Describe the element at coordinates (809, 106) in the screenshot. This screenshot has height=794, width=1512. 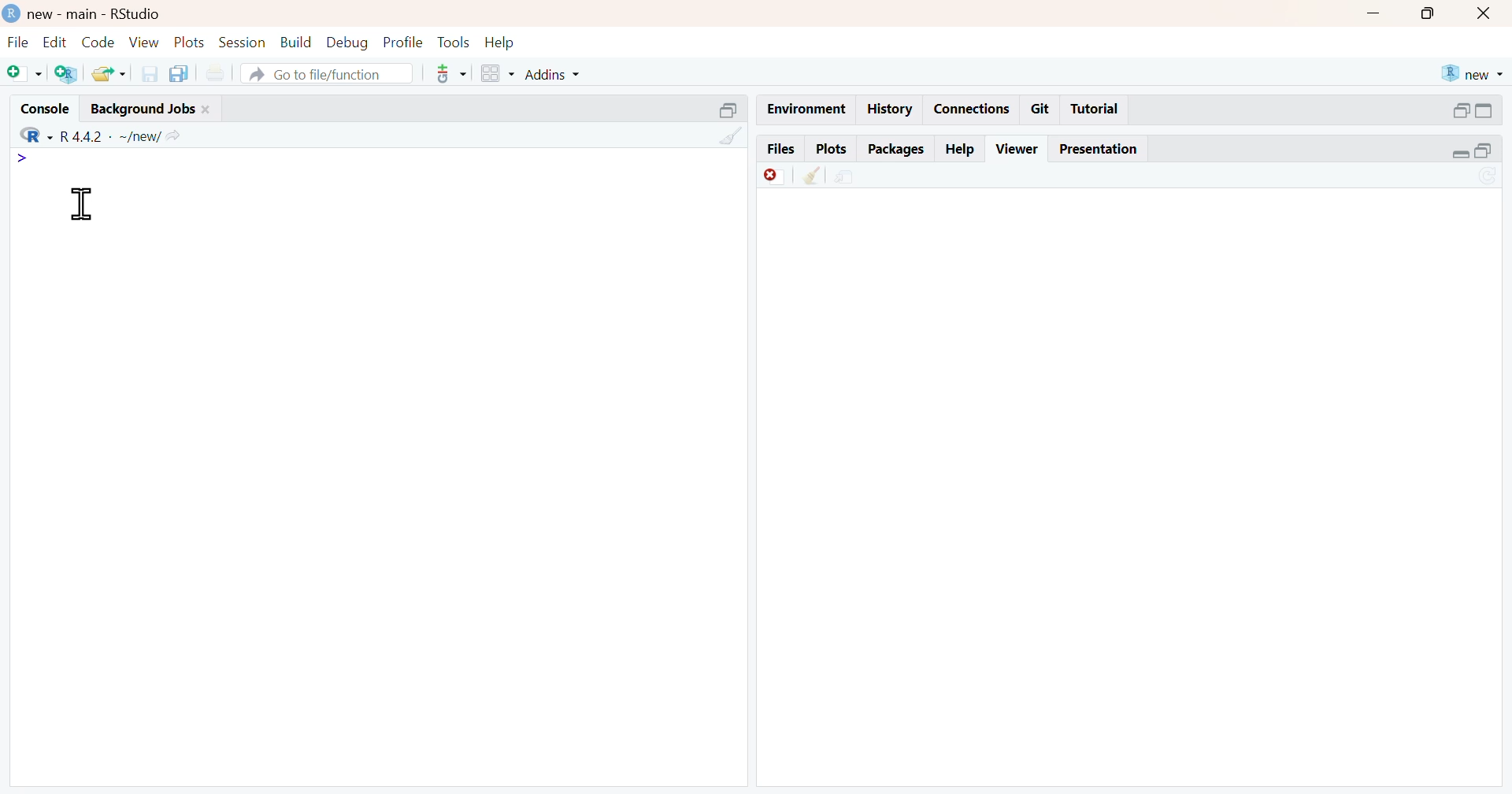
I see `environment` at that location.